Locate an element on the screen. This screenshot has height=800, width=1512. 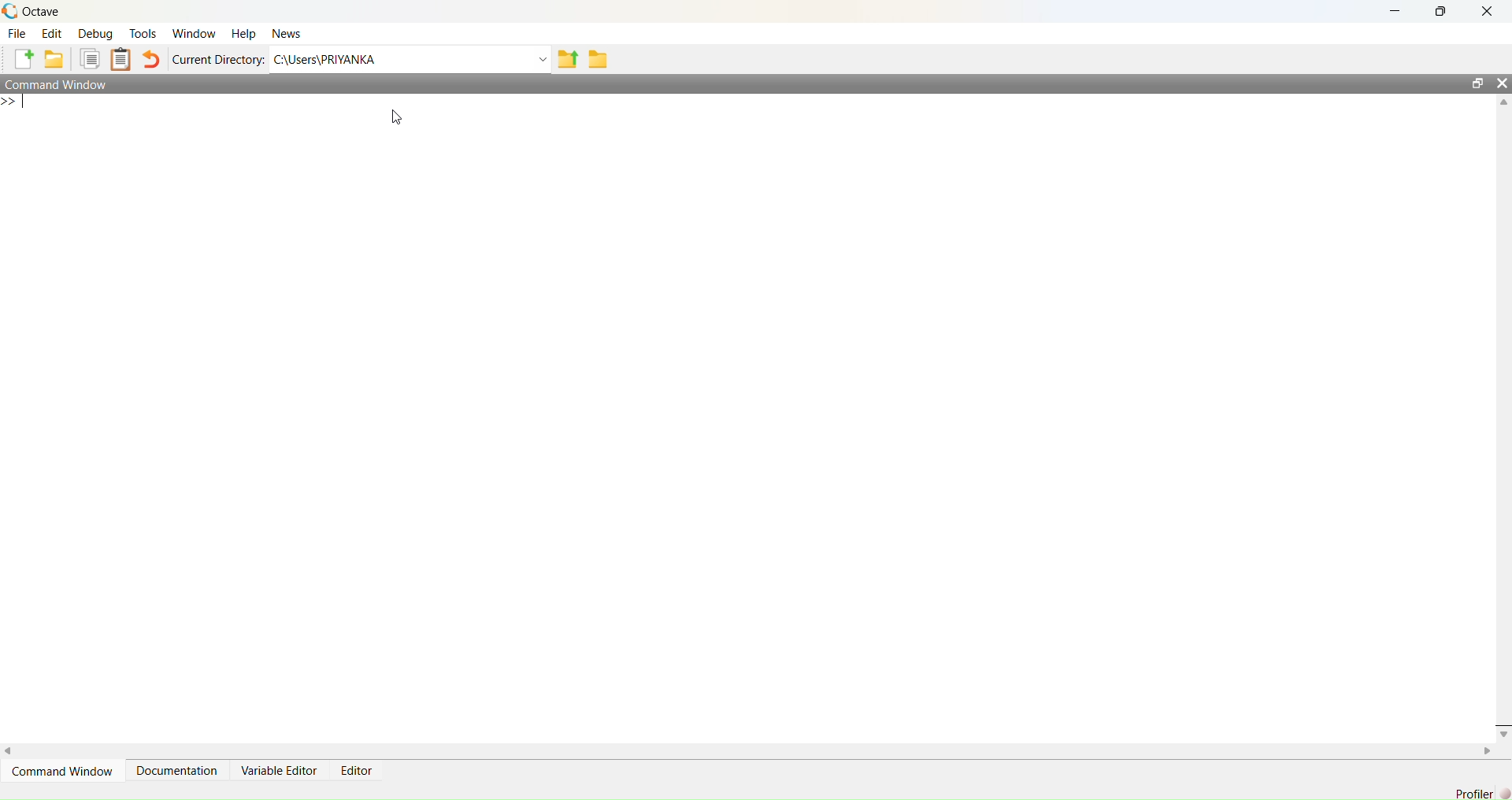
Right is located at coordinates (1489, 751).